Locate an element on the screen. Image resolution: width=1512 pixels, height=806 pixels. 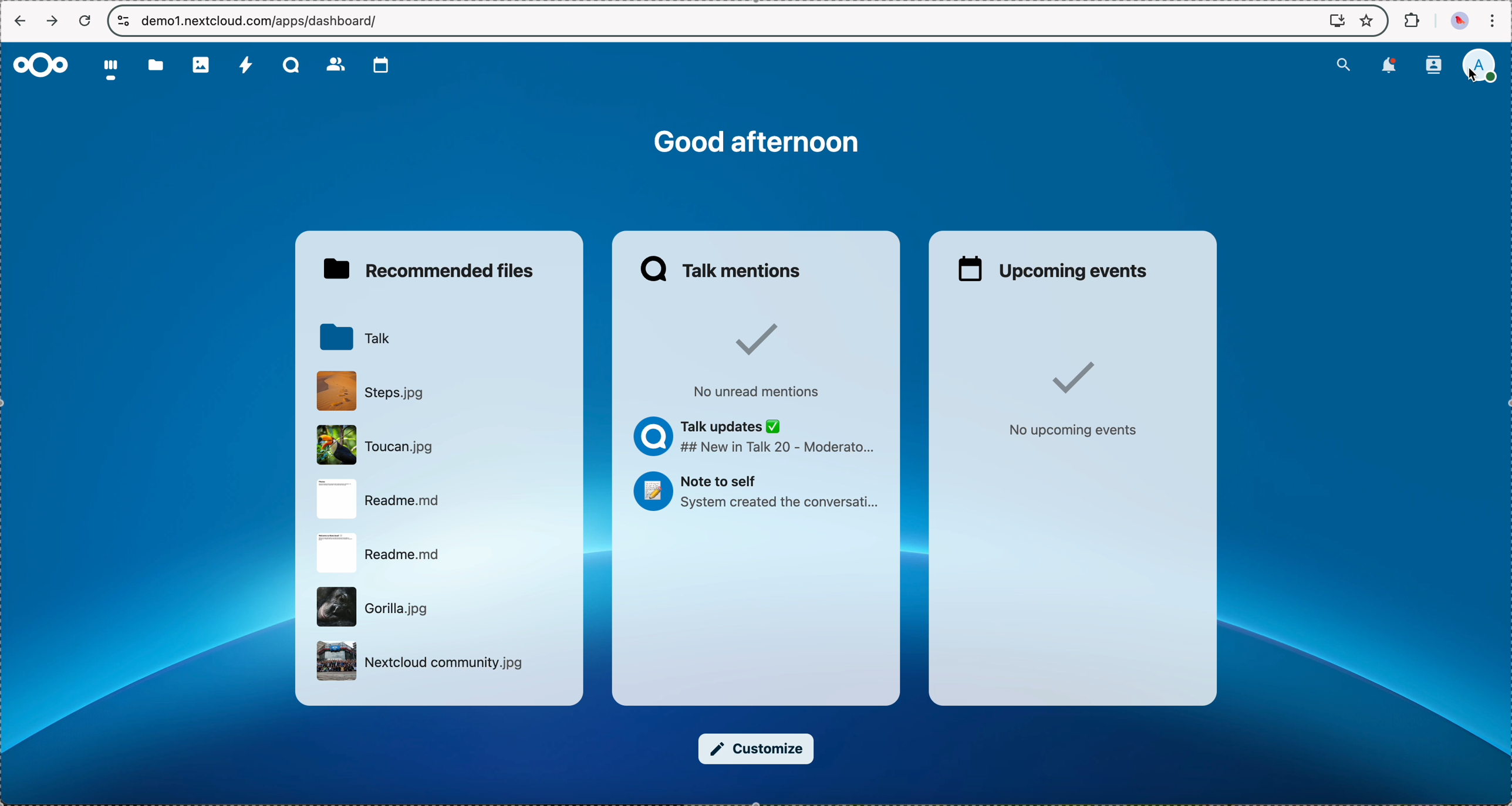
talk updates is located at coordinates (758, 437).